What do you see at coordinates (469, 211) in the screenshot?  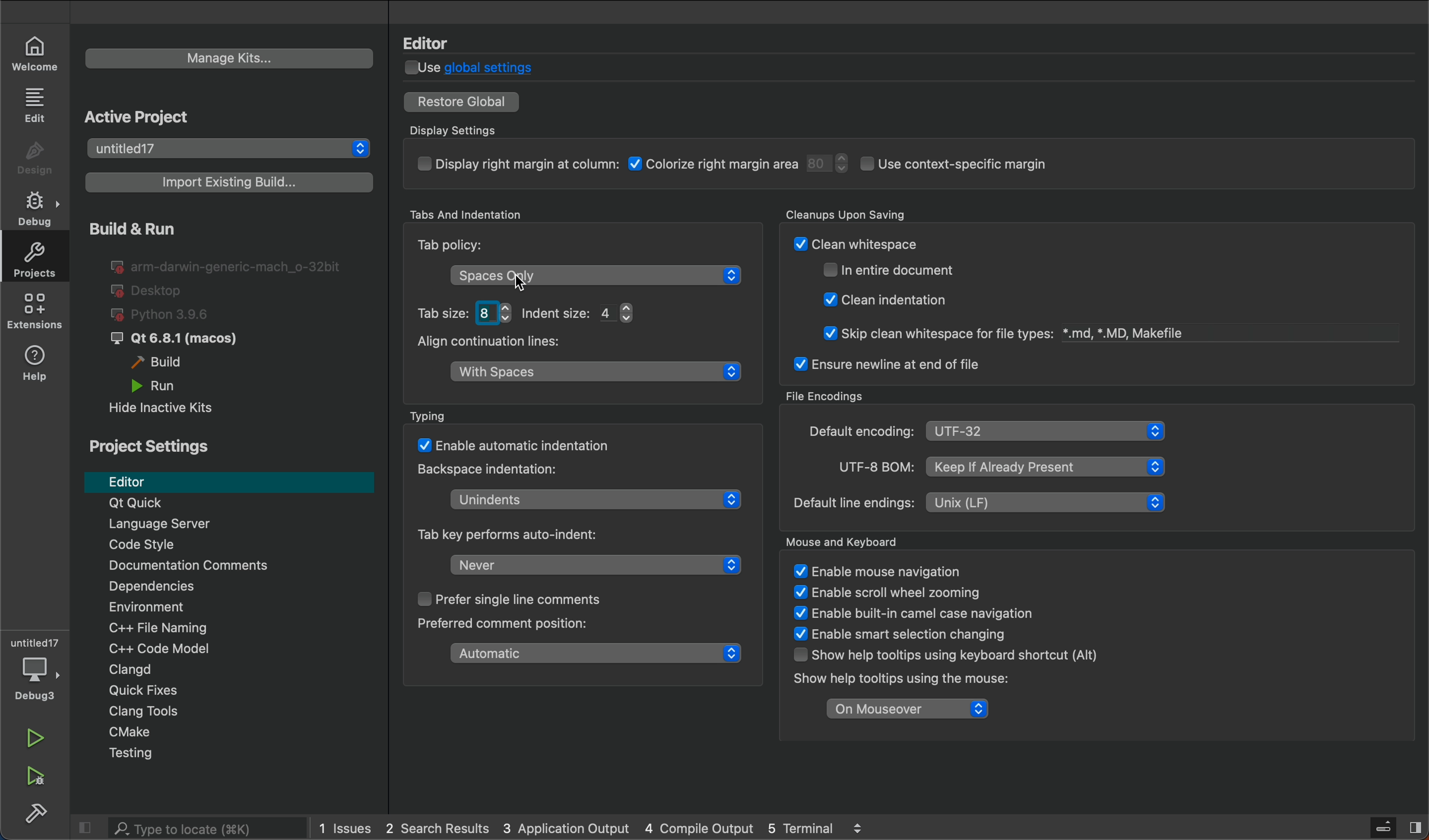 I see `Tabs And Indentation` at bounding box center [469, 211].